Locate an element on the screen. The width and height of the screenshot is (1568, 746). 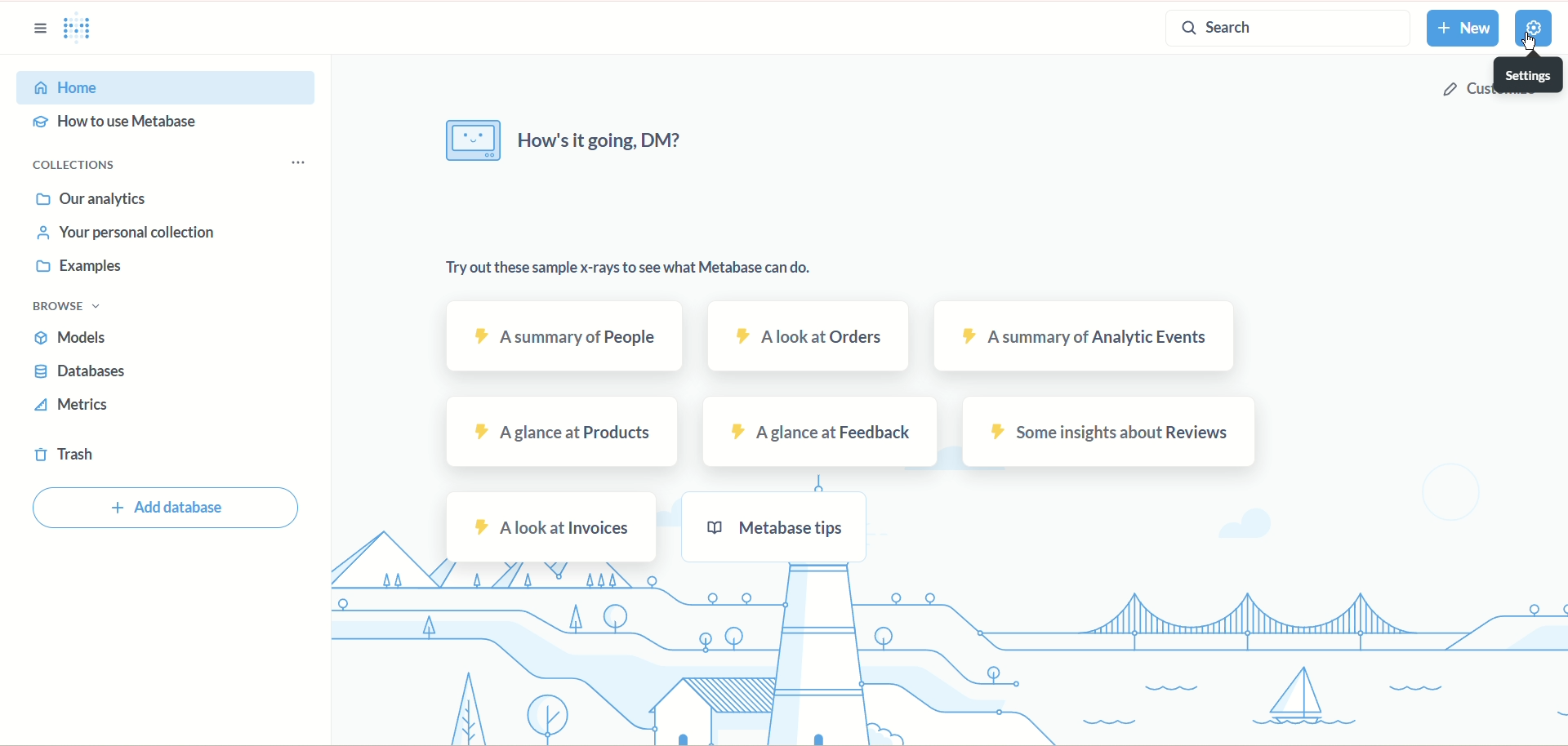
metabase tips is located at coordinates (768, 527).